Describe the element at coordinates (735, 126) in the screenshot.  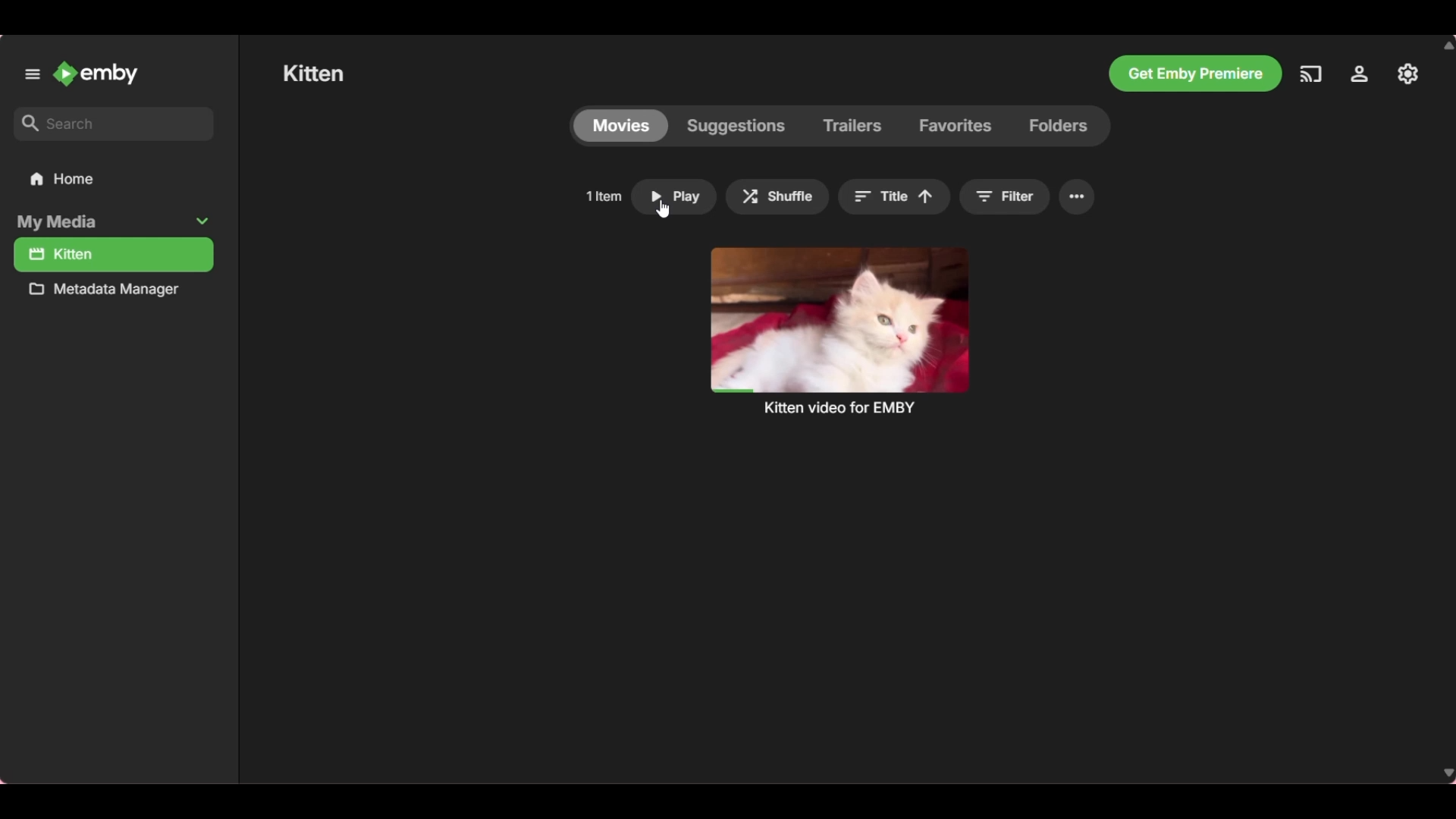
I see `Suggestions` at that location.